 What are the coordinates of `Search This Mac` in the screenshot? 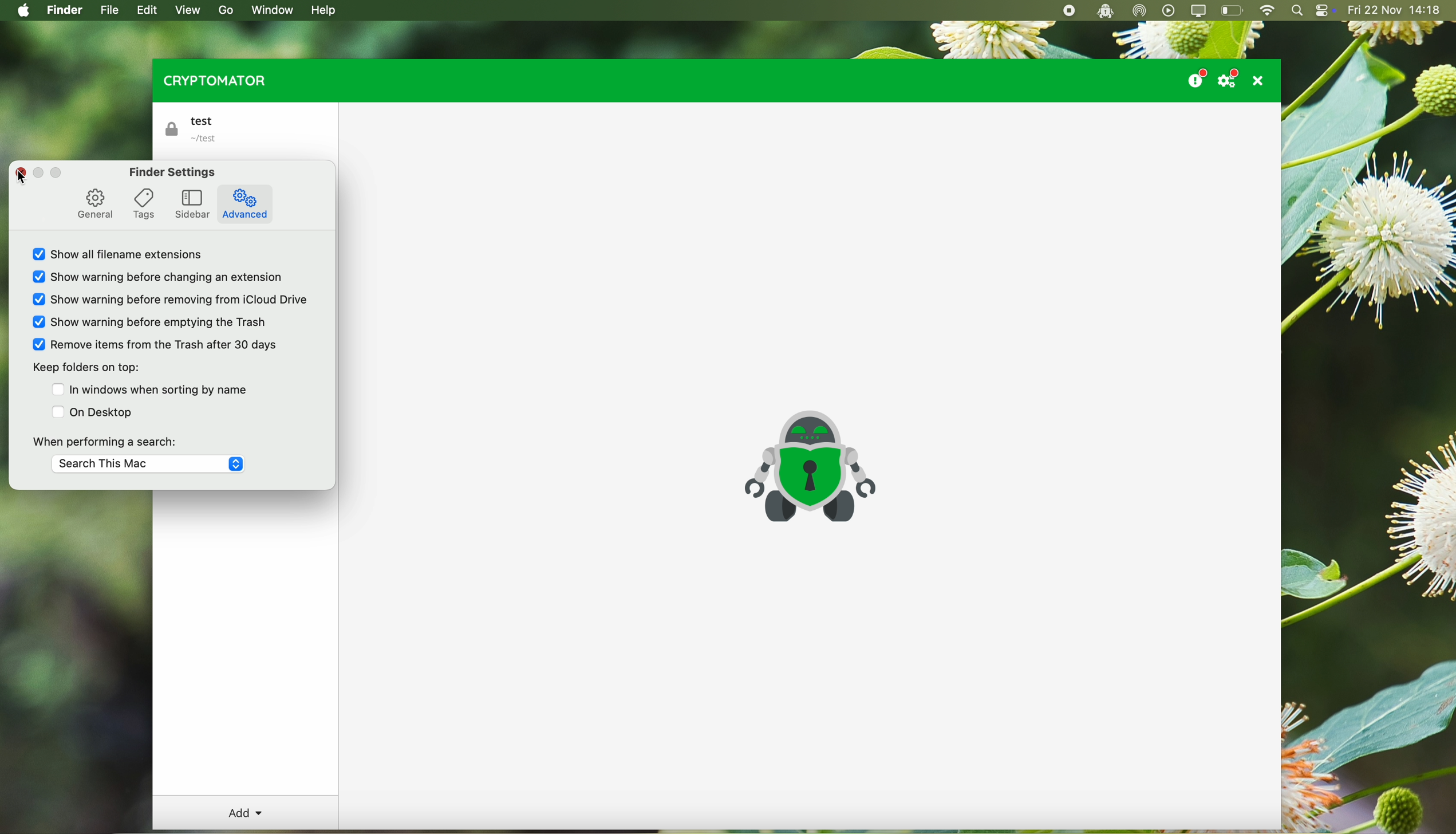 It's located at (148, 465).